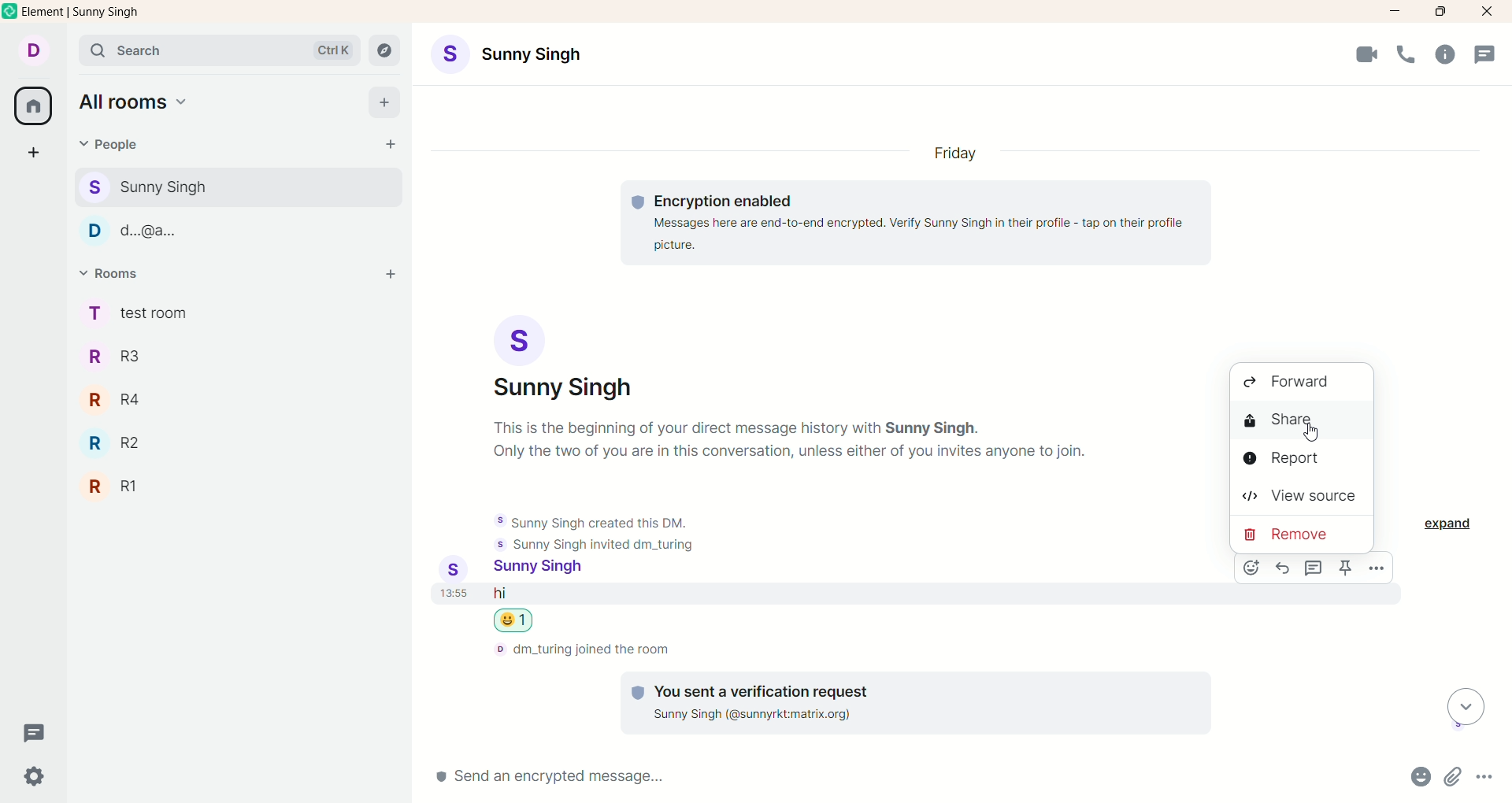 This screenshot has width=1512, height=803. Describe the element at coordinates (1450, 526) in the screenshot. I see `expand` at that location.